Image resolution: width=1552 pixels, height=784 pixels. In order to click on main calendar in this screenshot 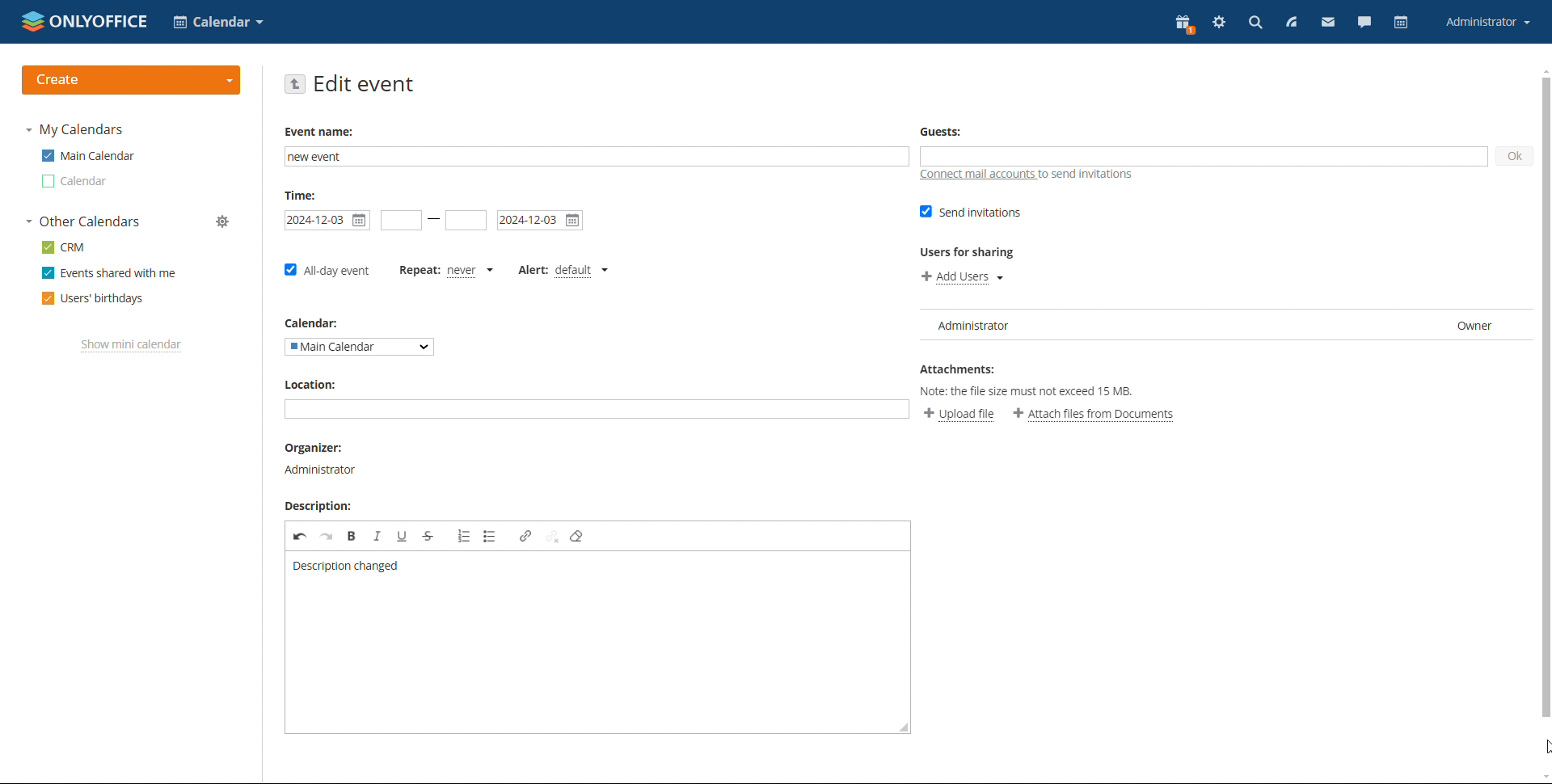, I will do `click(88, 155)`.